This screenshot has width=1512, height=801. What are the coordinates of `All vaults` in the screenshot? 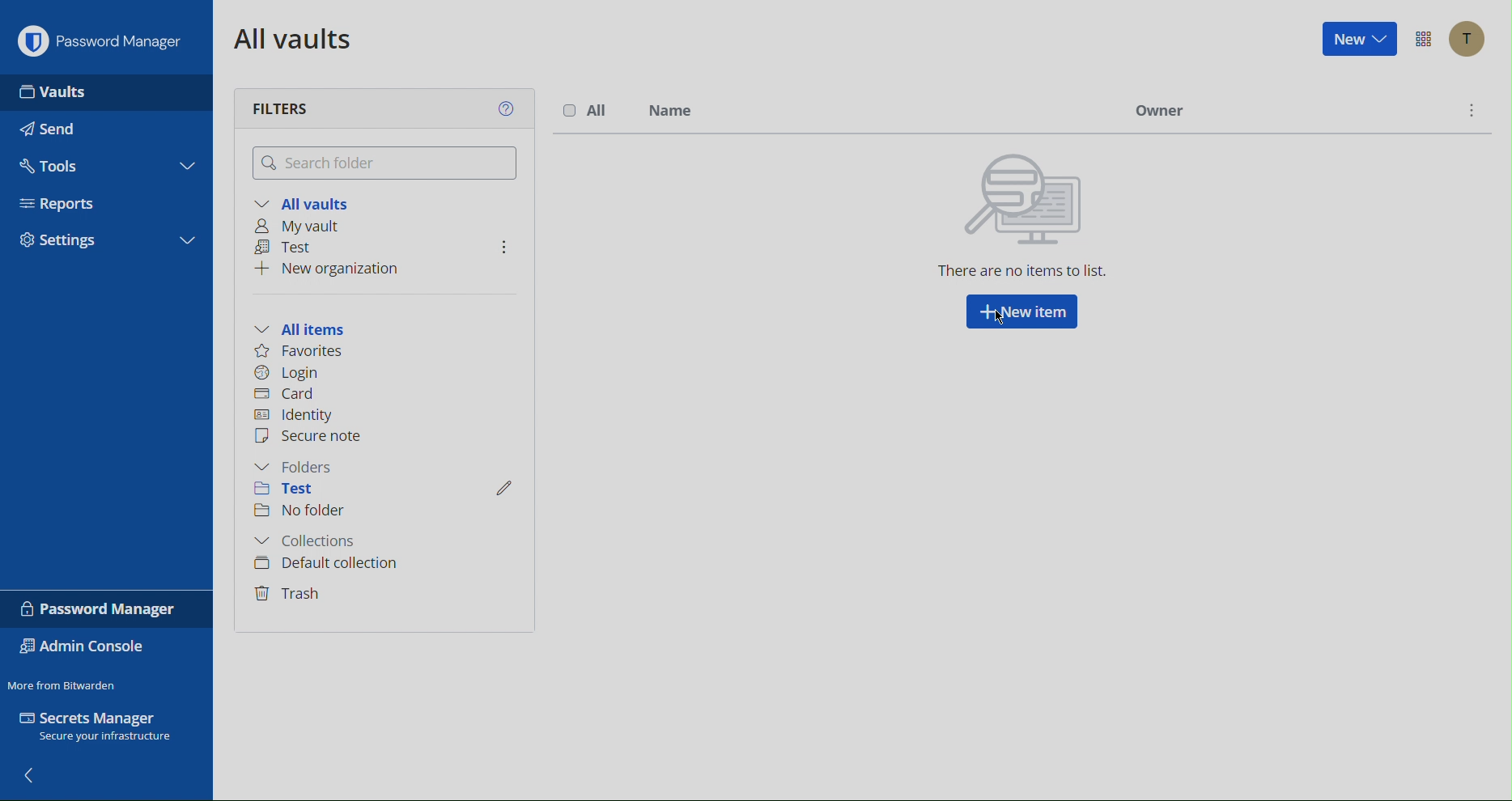 It's located at (306, 201).